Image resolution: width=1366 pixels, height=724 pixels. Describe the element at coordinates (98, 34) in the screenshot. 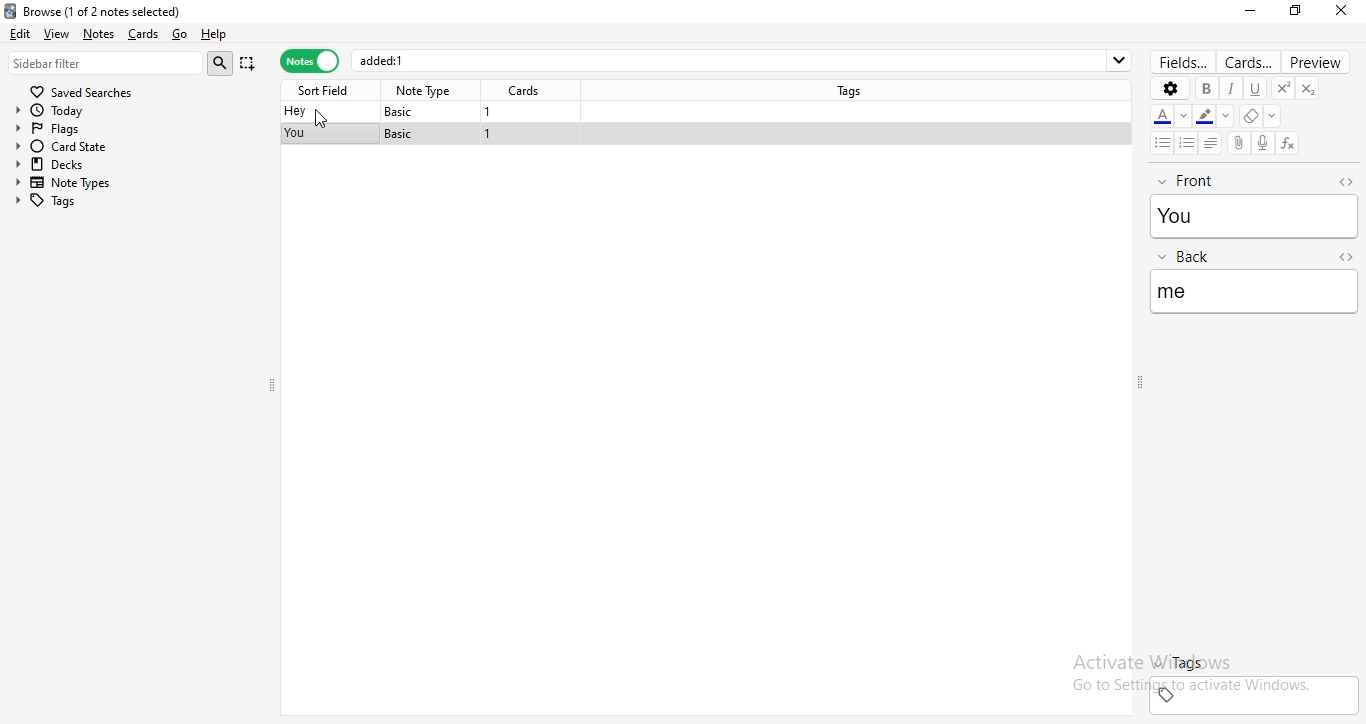

I see `notes` at that location.